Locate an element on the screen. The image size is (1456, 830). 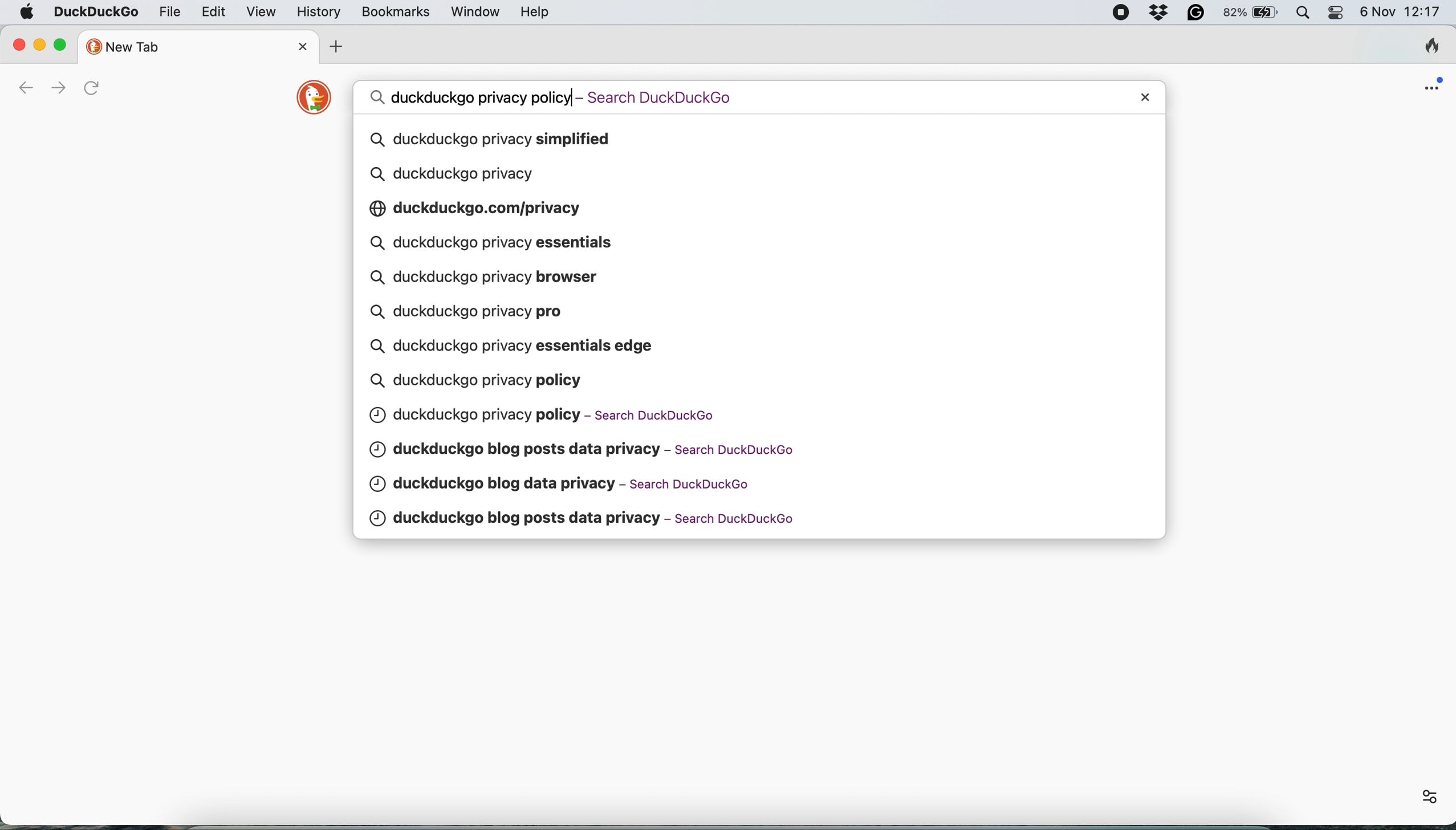
help is located at coordinates (534, 13).